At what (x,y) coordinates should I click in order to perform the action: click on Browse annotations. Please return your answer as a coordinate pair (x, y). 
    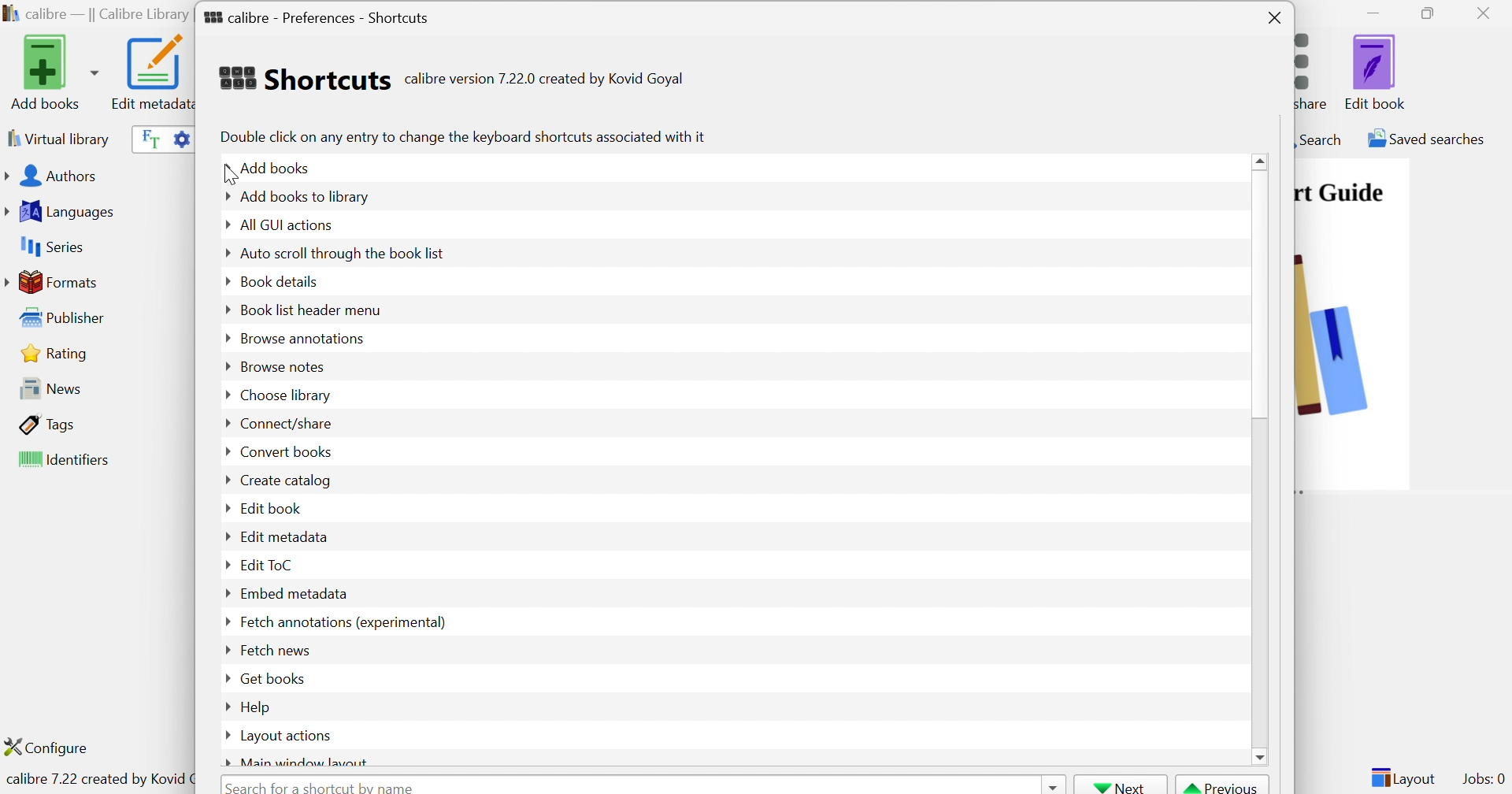
    Looking at the image, I should click on (302, 337).